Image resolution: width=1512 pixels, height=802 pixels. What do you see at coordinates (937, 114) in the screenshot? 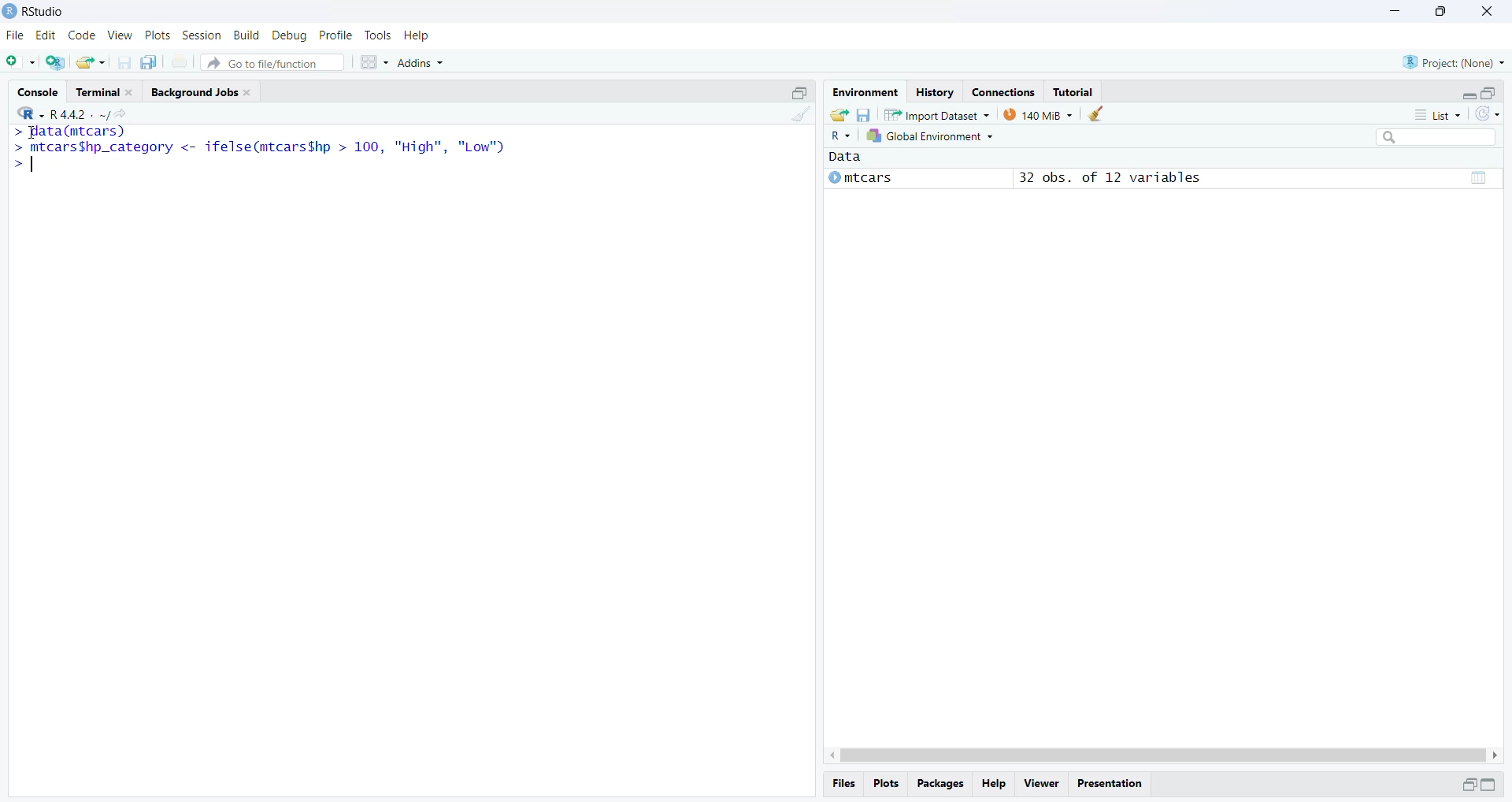
I see `Import Dataset` at bounding box center [937, 114].